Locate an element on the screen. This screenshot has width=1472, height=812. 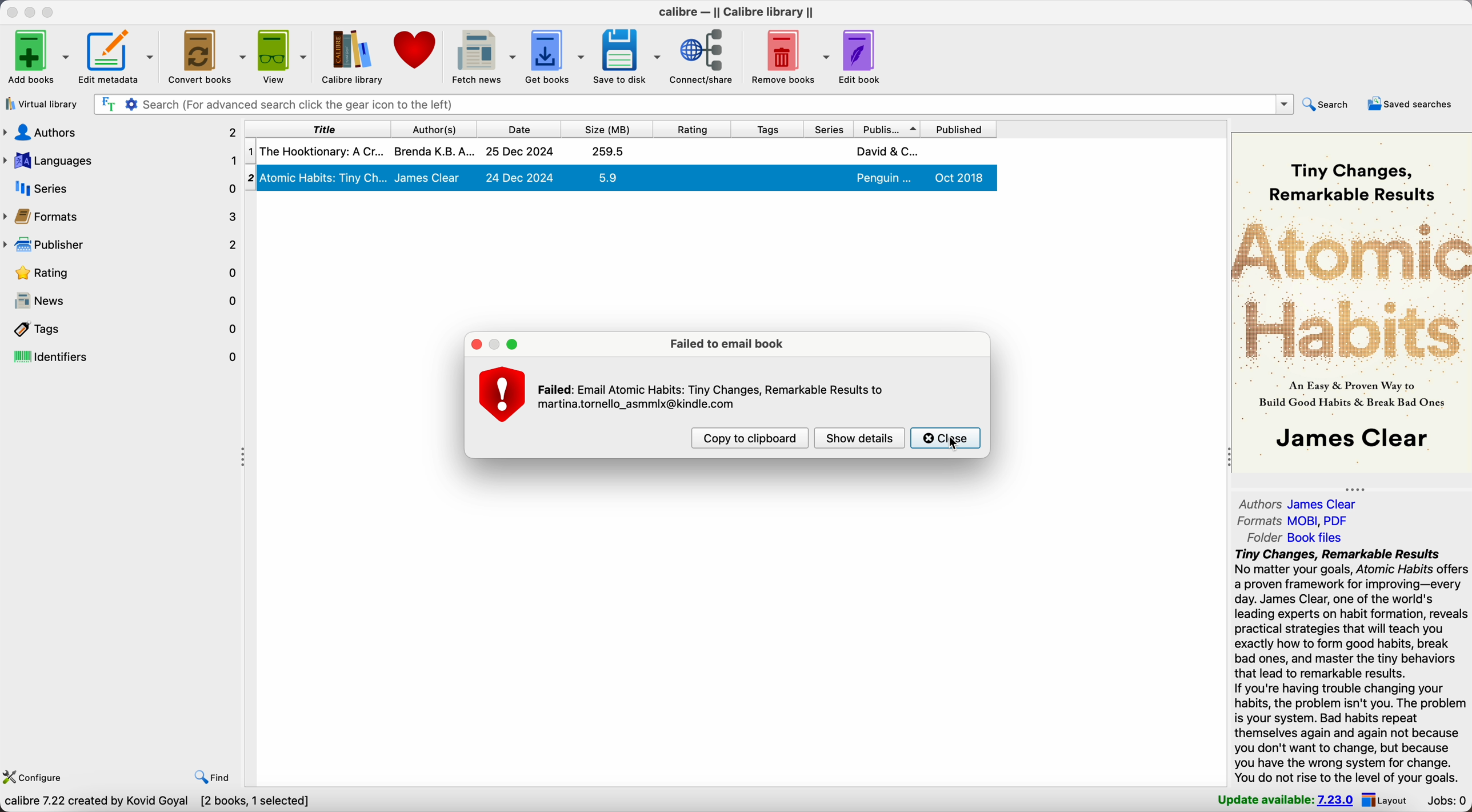
Jobs: 0 is located at coordinates (1445, 801).